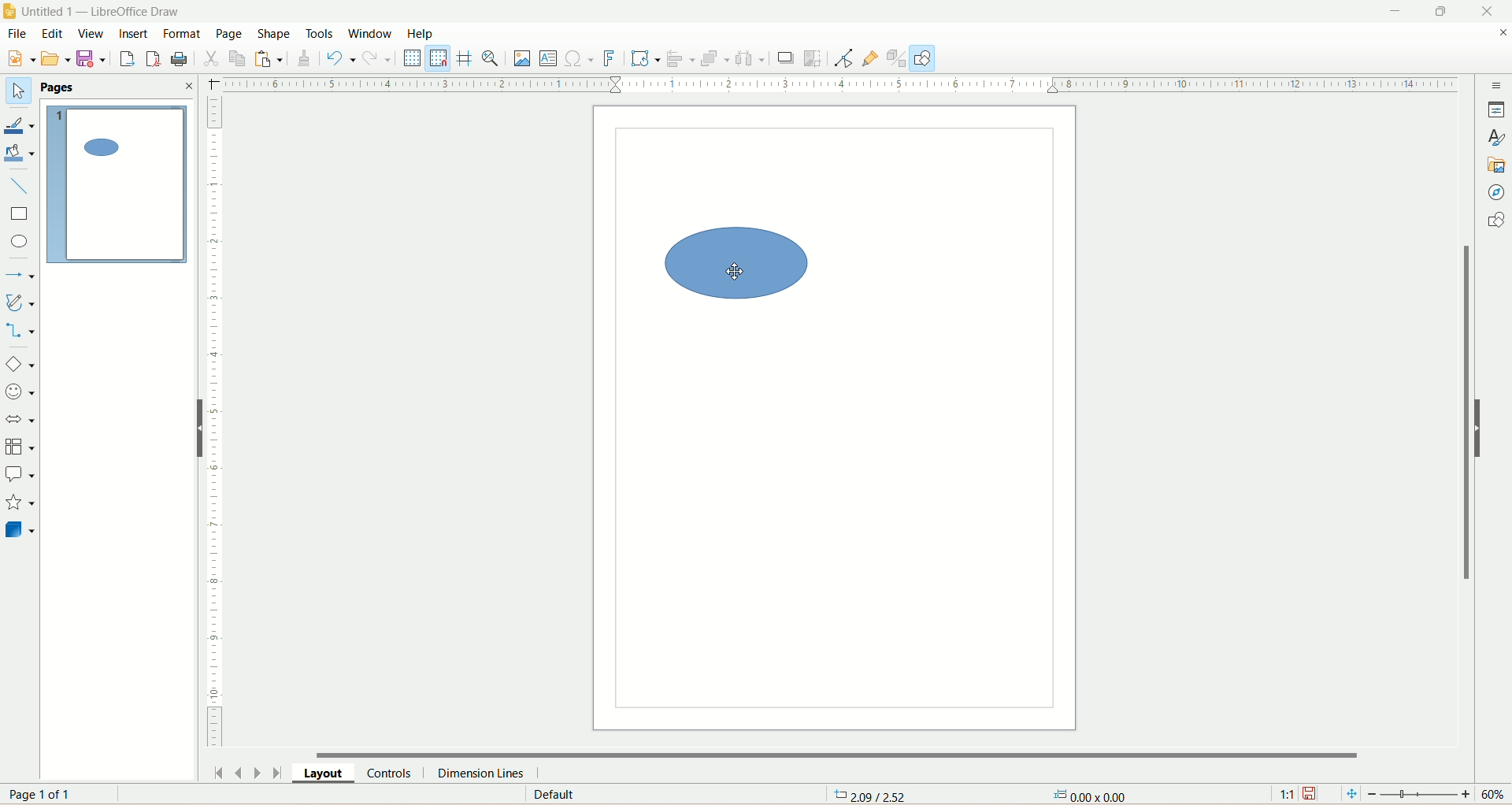 The height and width of the screenshot is (805, 1512). Describe the element at coordinates (899, 59) in the screenshot. I see `toggle extrusion` at that location.